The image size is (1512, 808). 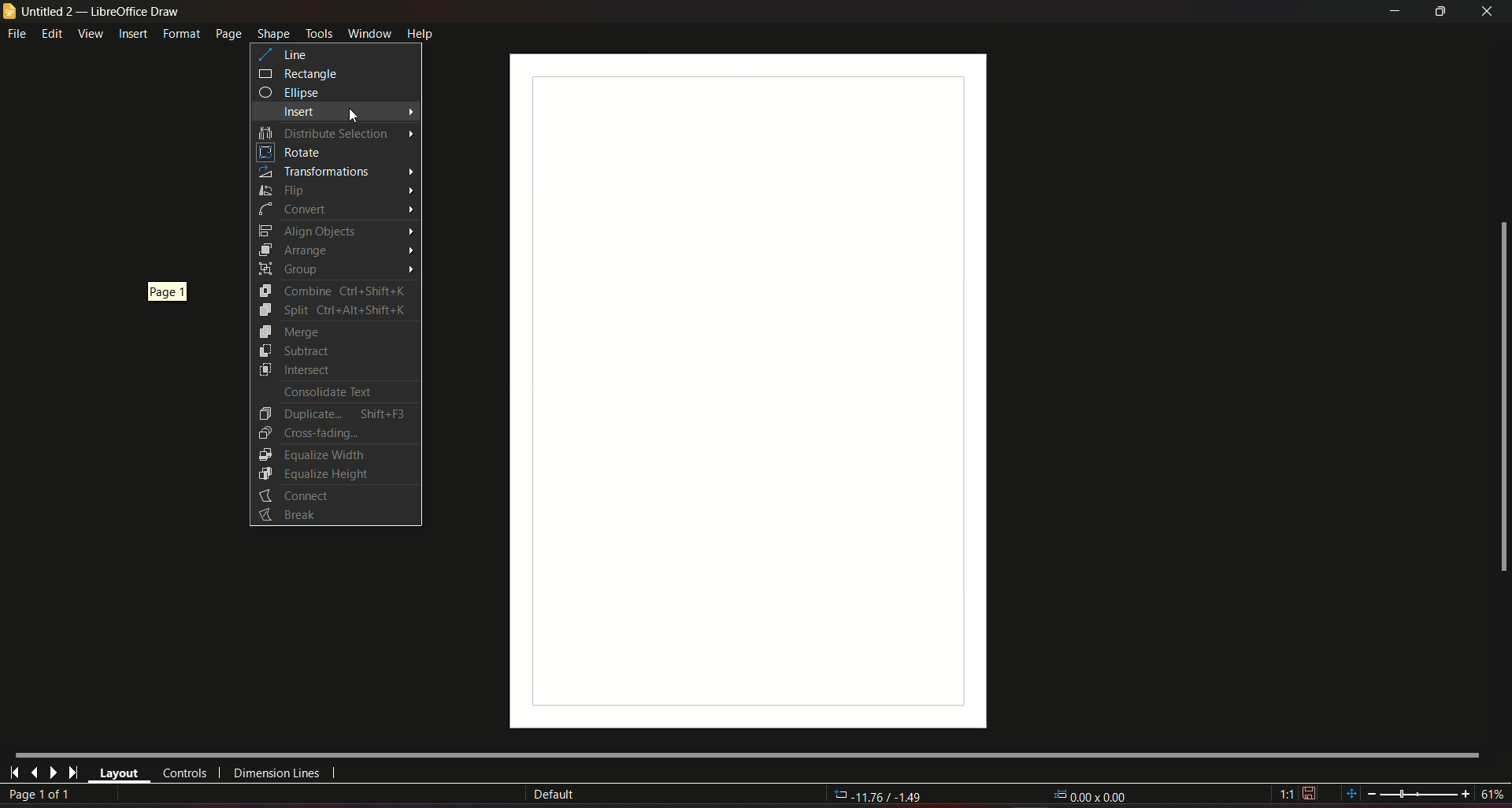 What do you see at coordinates (180, 34) in the screenshot?
I see `format` at bounding box center [180, 34].